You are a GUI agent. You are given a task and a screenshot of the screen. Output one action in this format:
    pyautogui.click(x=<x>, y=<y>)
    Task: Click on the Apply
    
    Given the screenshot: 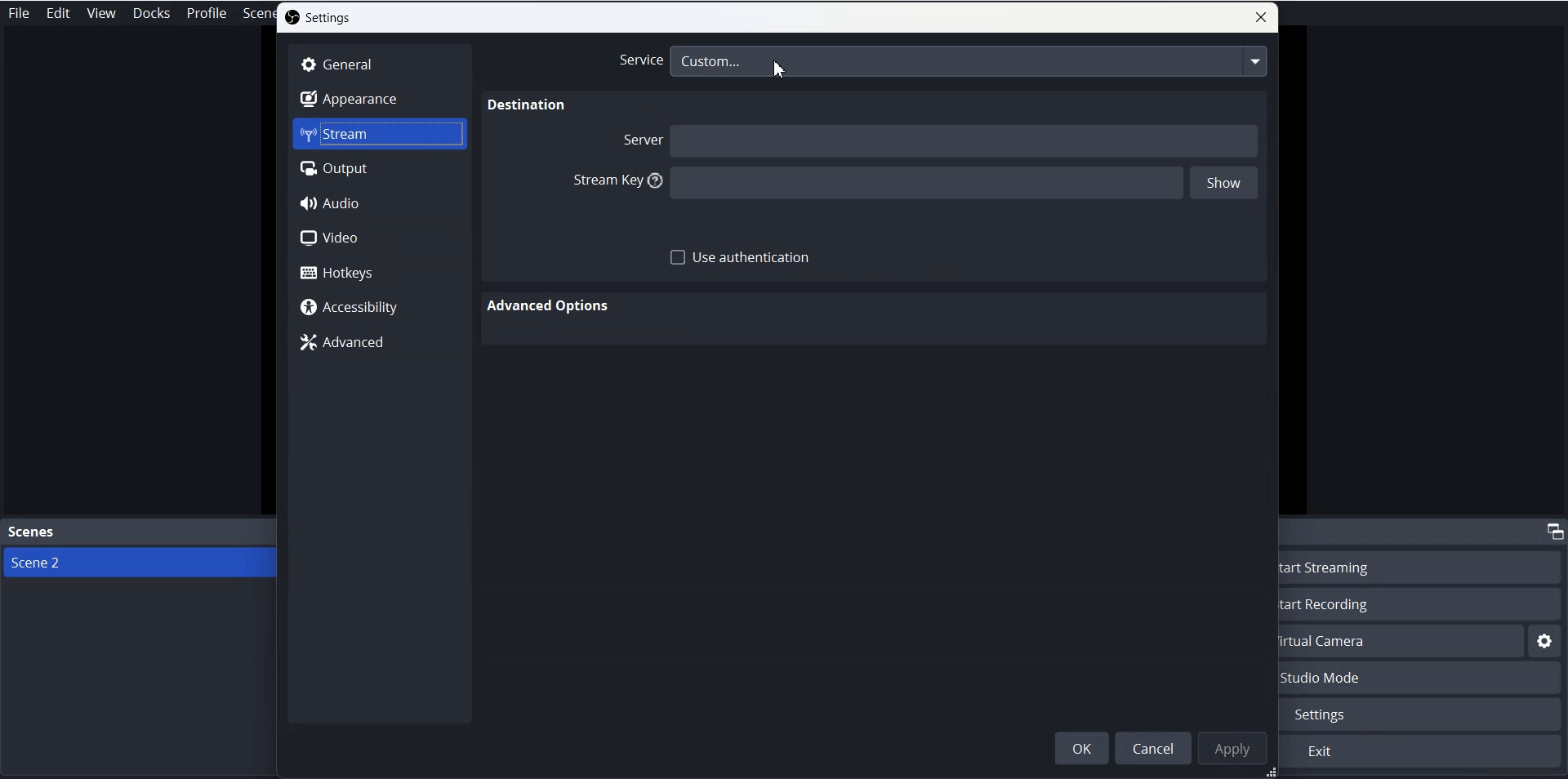 What is the action you would take?
    pyautogui.click(x=1233, y=748)
    